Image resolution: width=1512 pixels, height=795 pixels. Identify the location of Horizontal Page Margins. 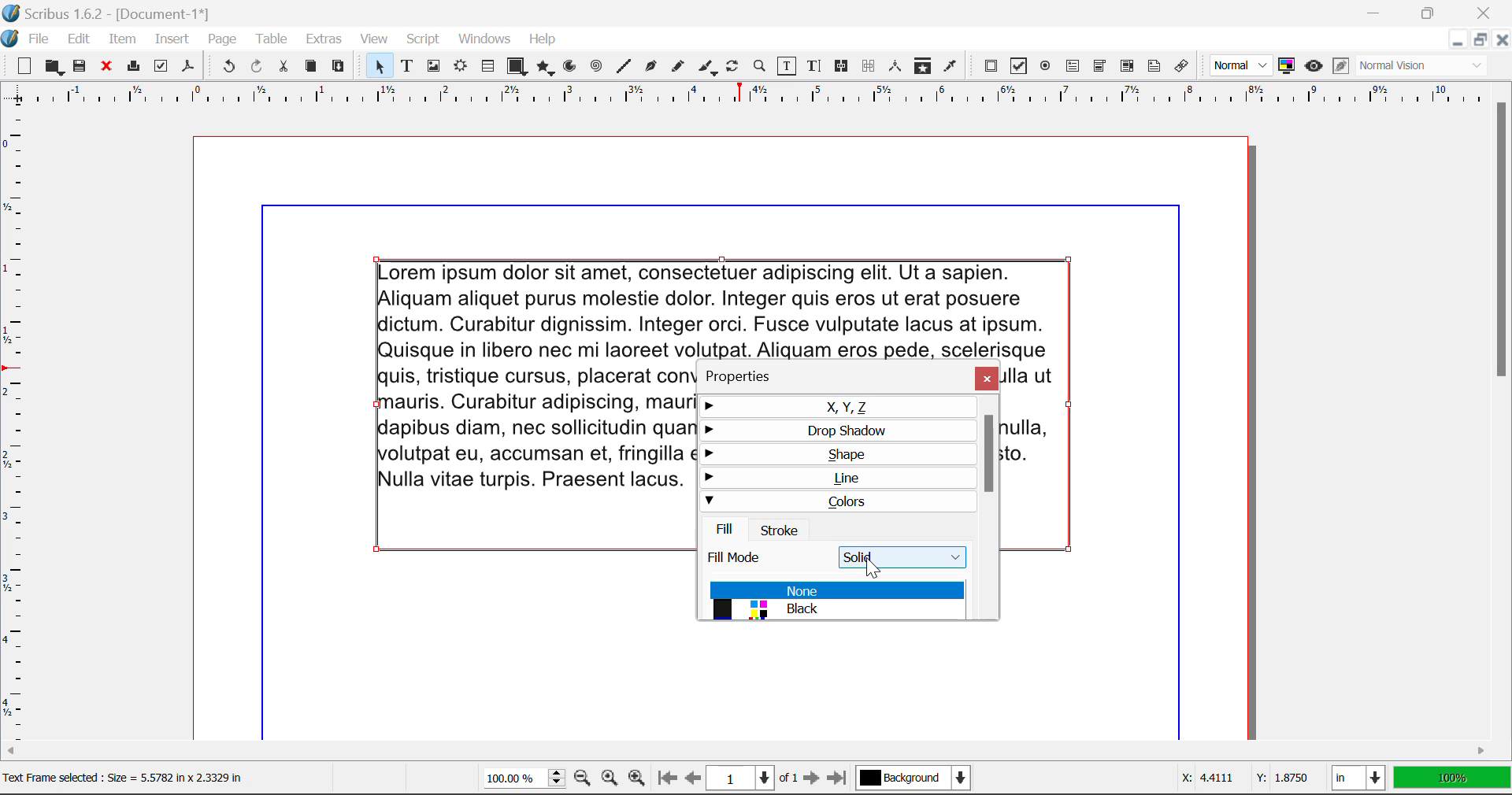
(20, 431).